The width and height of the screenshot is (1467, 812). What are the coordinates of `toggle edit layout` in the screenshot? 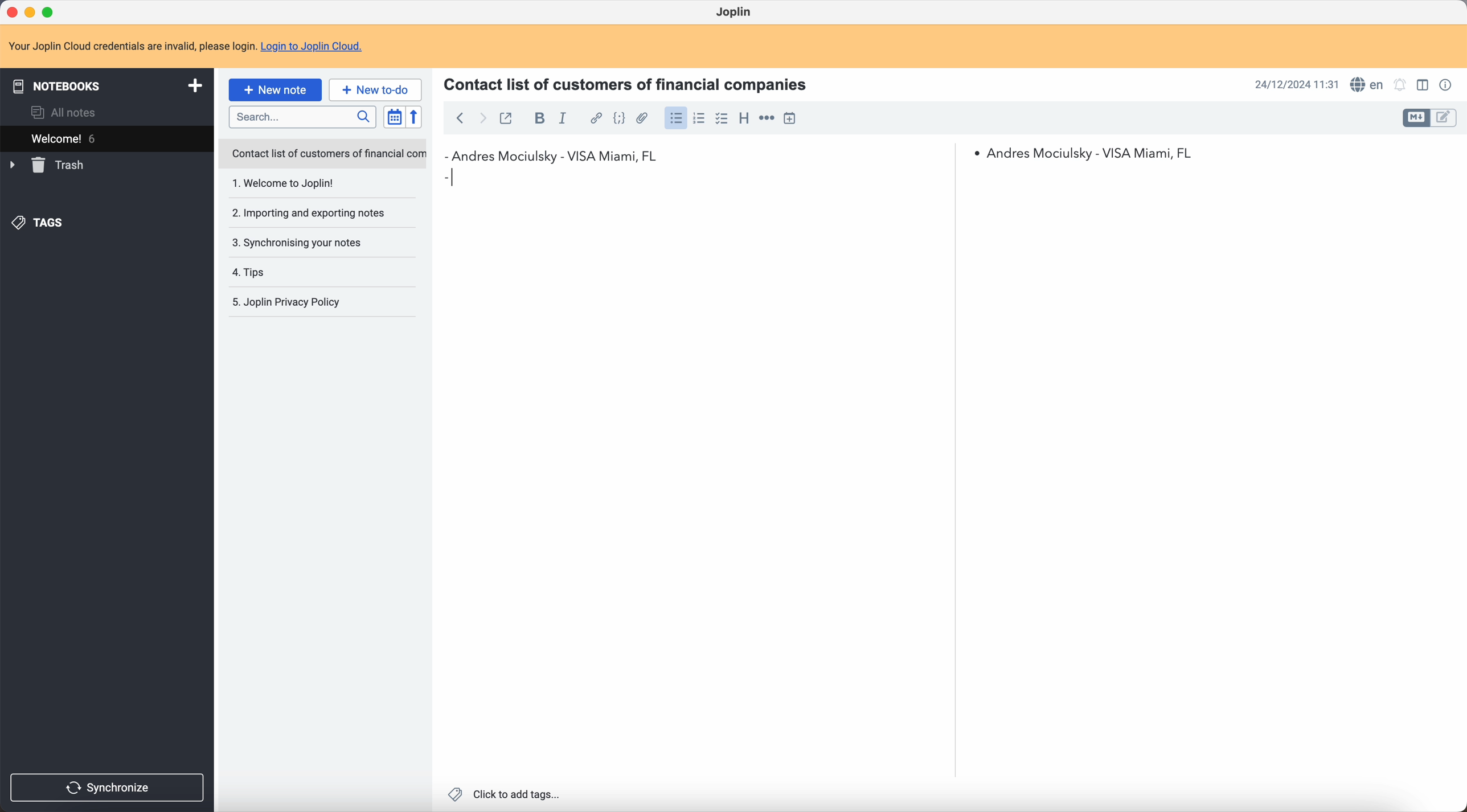 It's located at (1444, 118).